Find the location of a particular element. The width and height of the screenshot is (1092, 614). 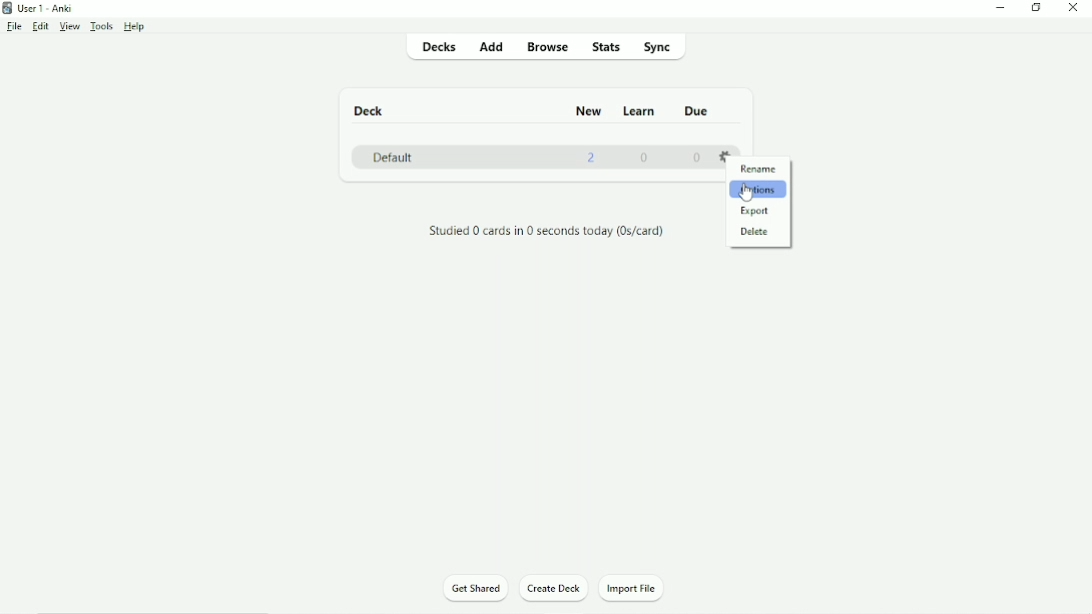

Create Deck is located at coordinates (554, 588).